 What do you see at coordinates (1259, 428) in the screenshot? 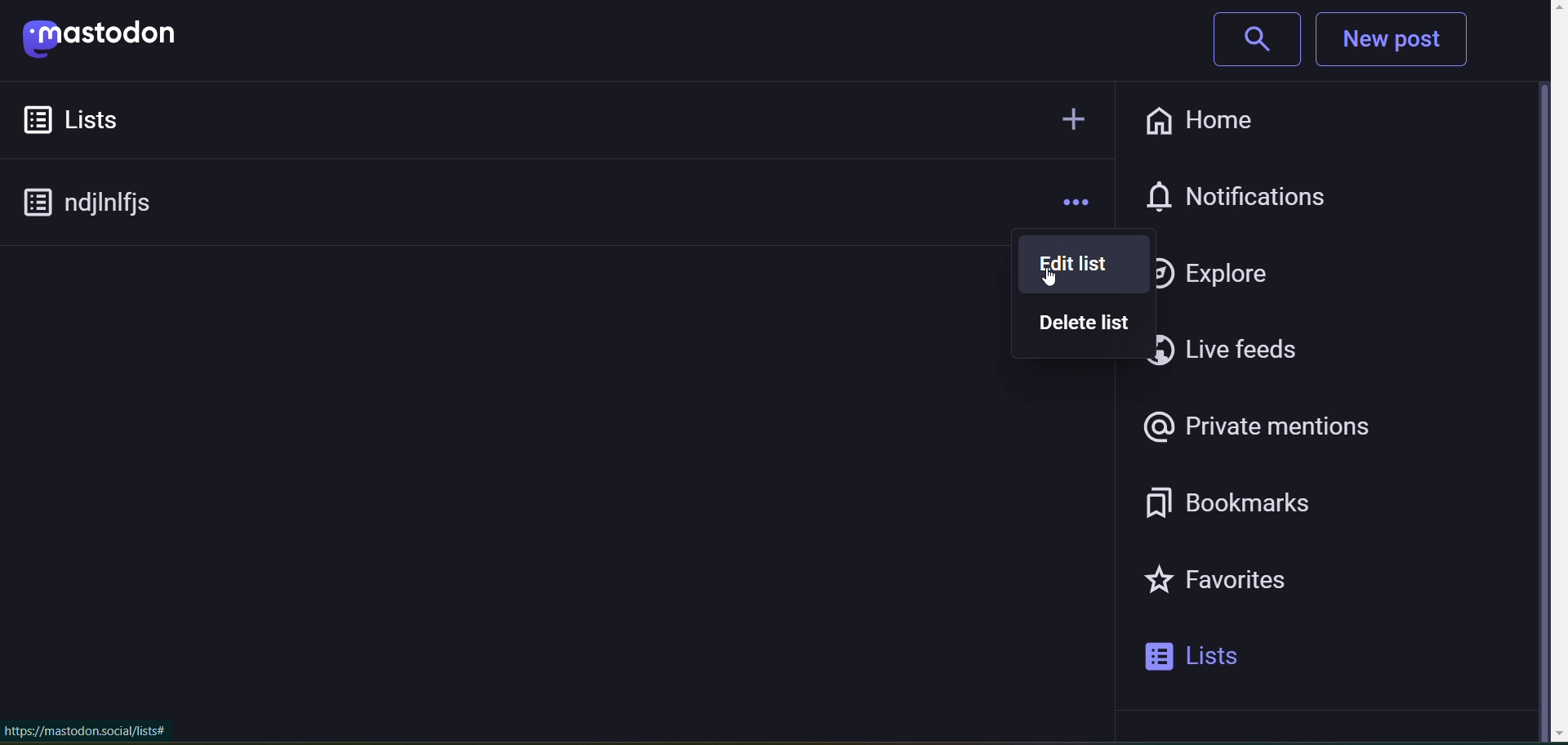
I see `private mentions` at bounding box center [1259, 428].